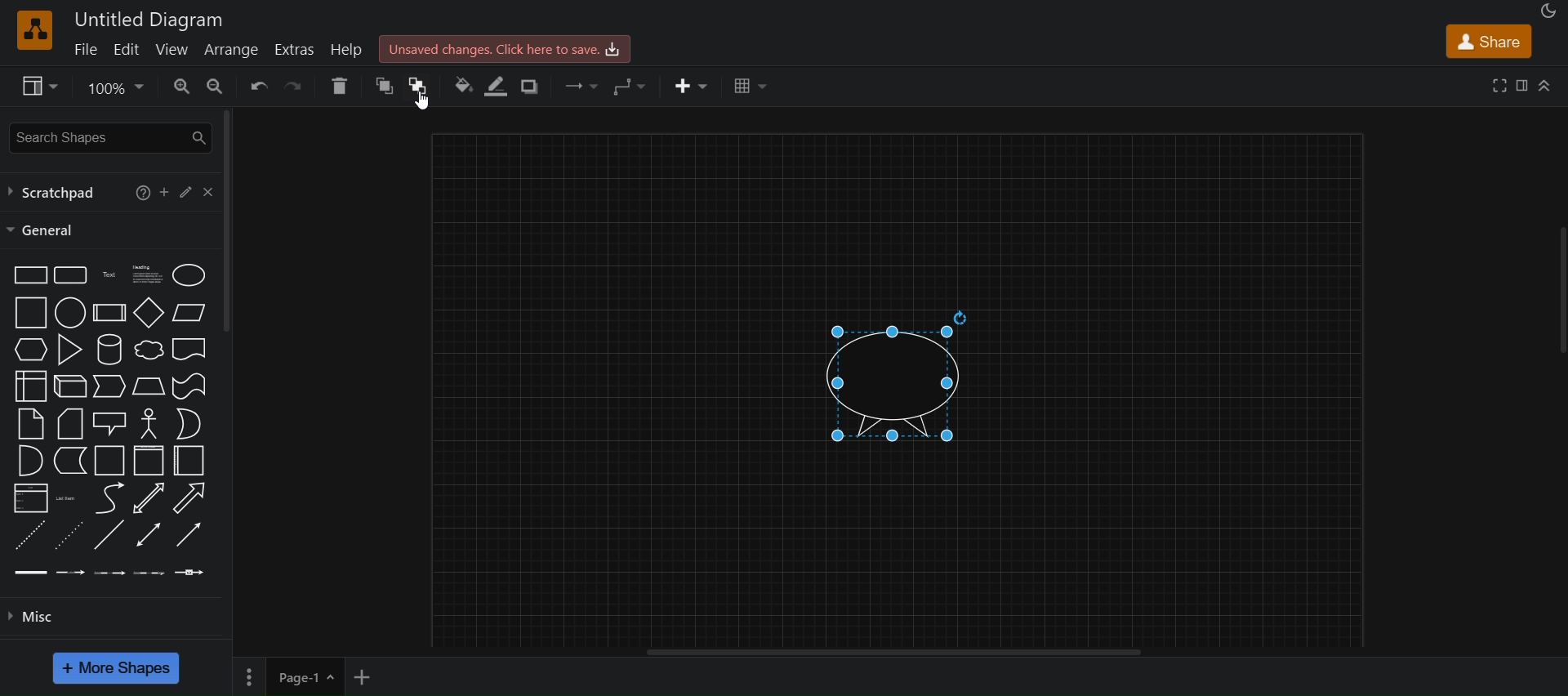 The width and height of the screenshot is (1568, 696). What do you see at coordinates (1492, 42) in the screenshot?
I see `share` at bounding box center [1492, 42].